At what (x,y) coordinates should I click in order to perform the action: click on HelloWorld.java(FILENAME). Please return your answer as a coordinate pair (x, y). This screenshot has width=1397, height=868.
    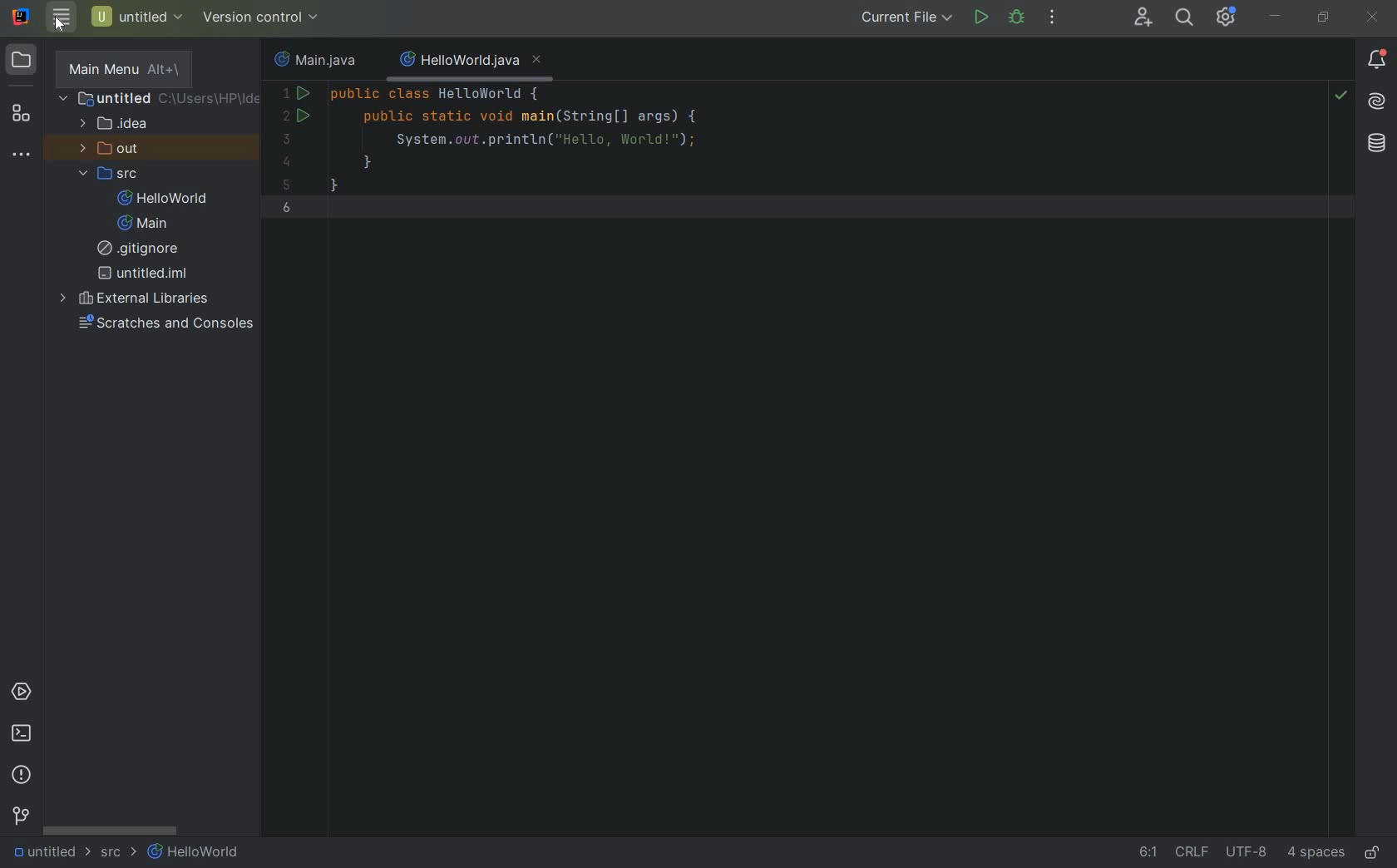
    Looking at the image, I should click on (469, 60).